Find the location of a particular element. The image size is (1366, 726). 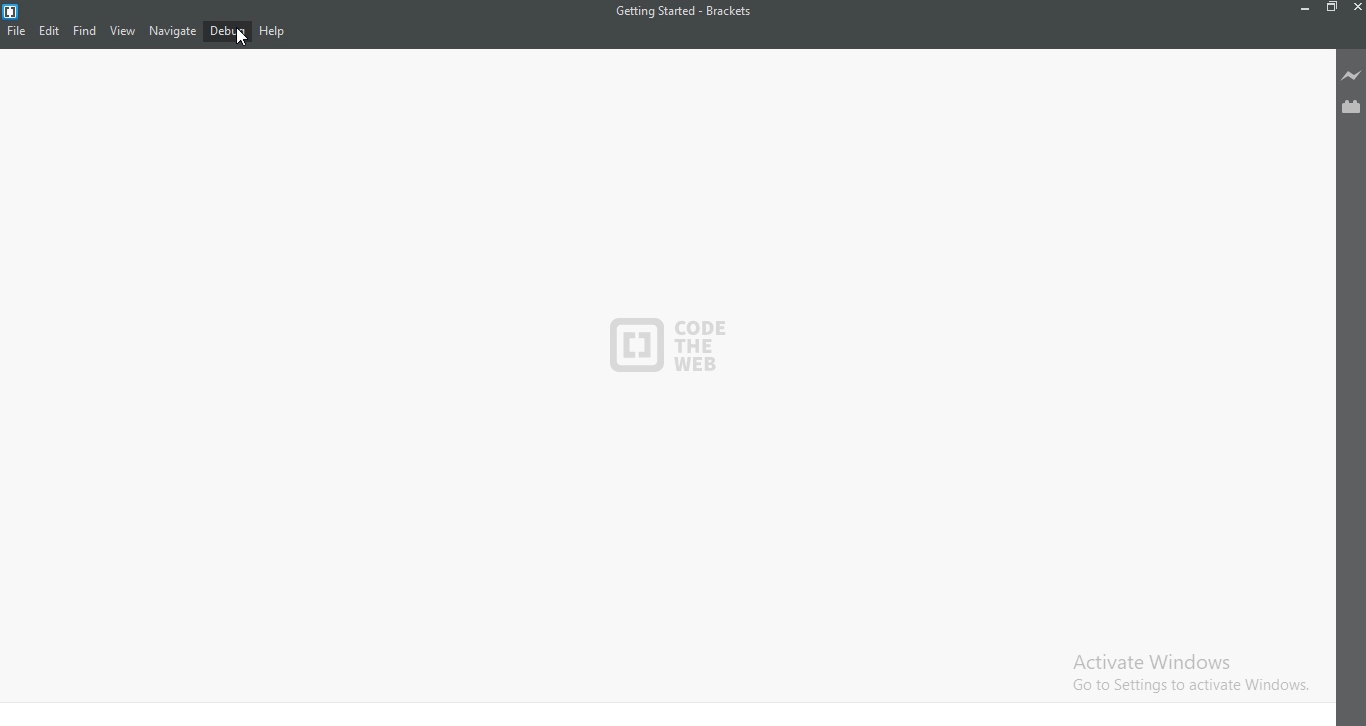

File is located at coordinates (18, 30).